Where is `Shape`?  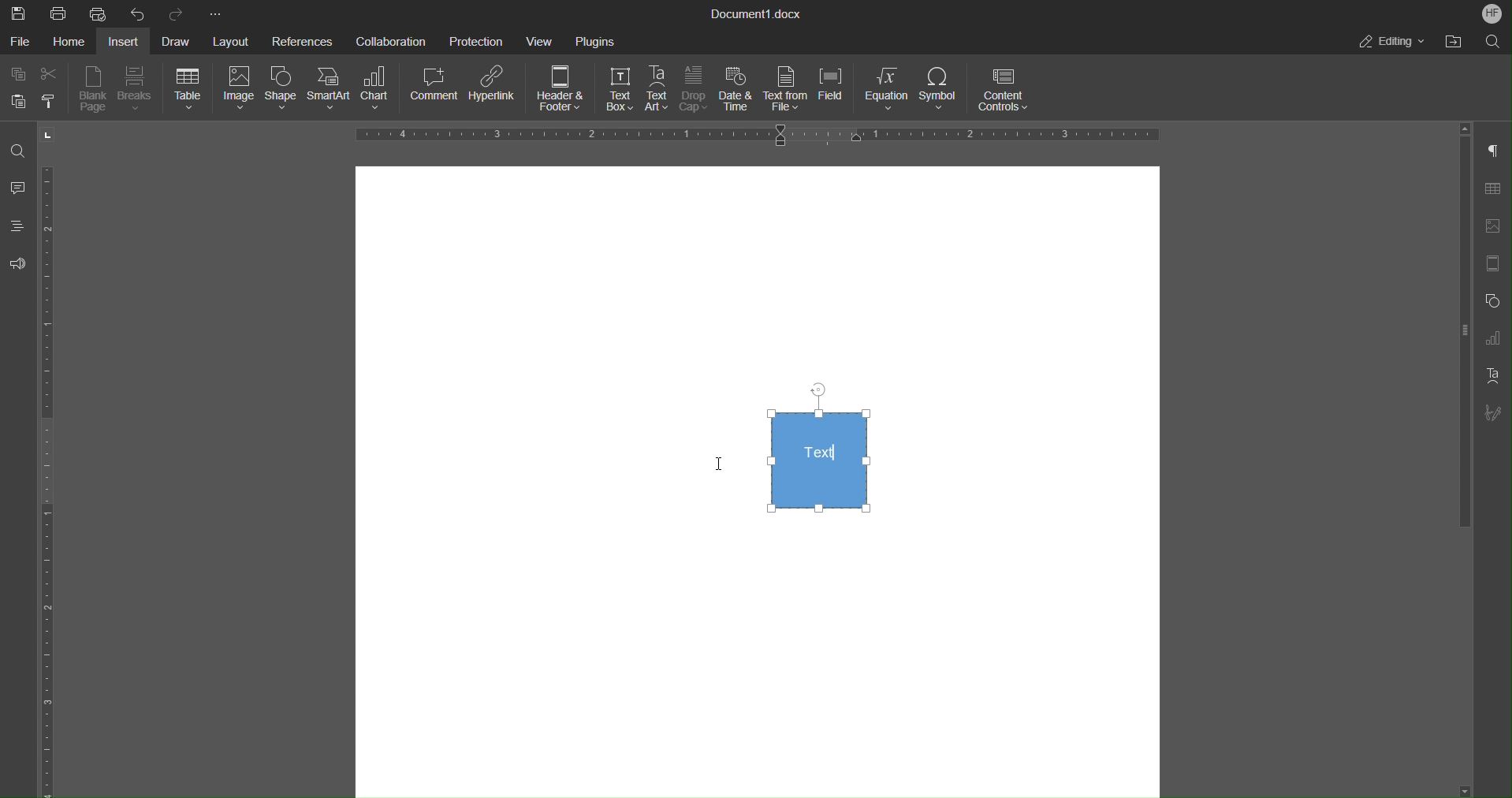 Shape is located at coordinates (281, 91).